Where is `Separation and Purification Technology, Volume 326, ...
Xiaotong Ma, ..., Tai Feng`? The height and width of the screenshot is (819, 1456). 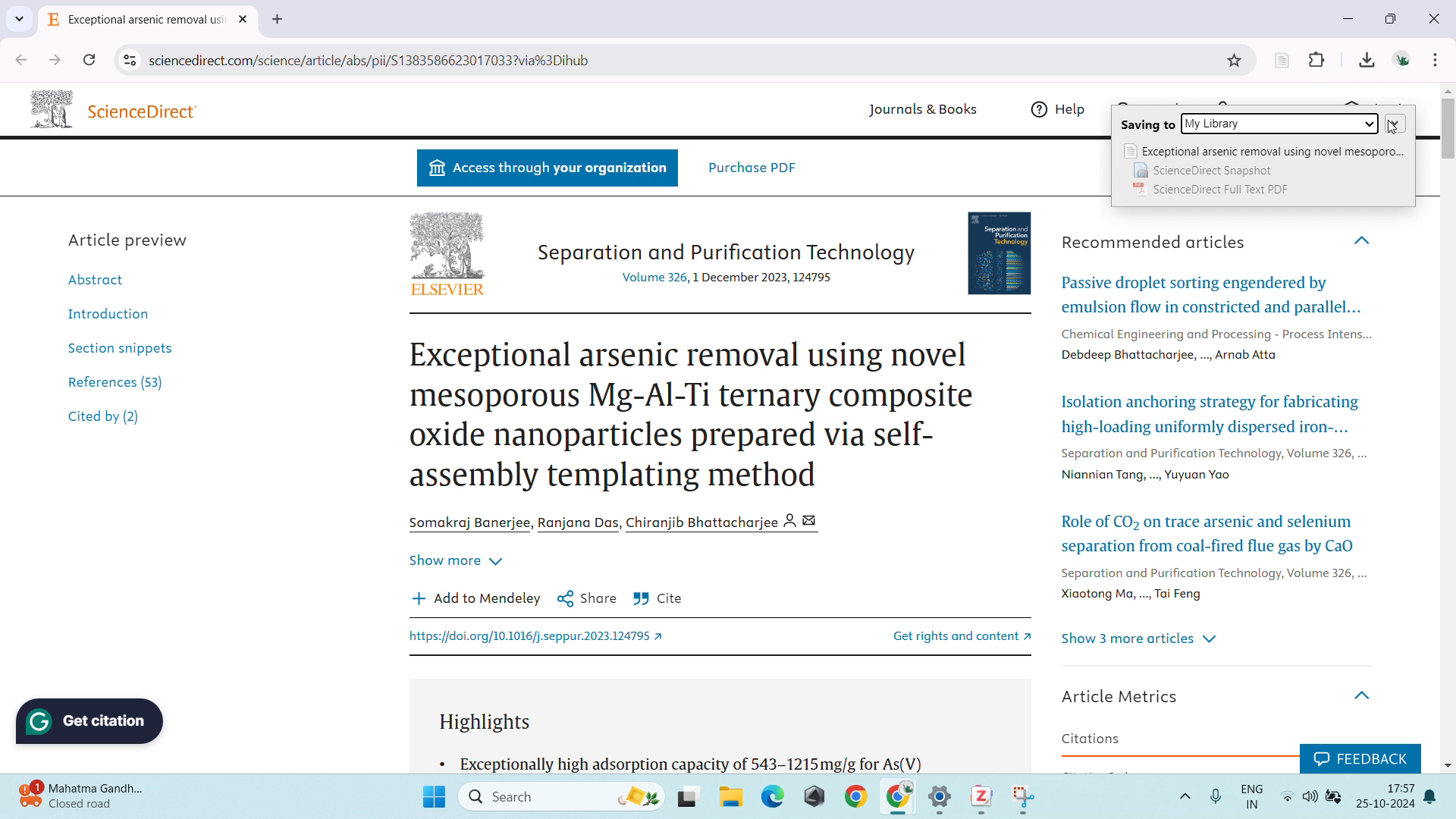 Separation and Purification Technology, Volume 326, ...
Xiaotong Ma, ..., Tai Feng is located at coordinates (1211, 585).